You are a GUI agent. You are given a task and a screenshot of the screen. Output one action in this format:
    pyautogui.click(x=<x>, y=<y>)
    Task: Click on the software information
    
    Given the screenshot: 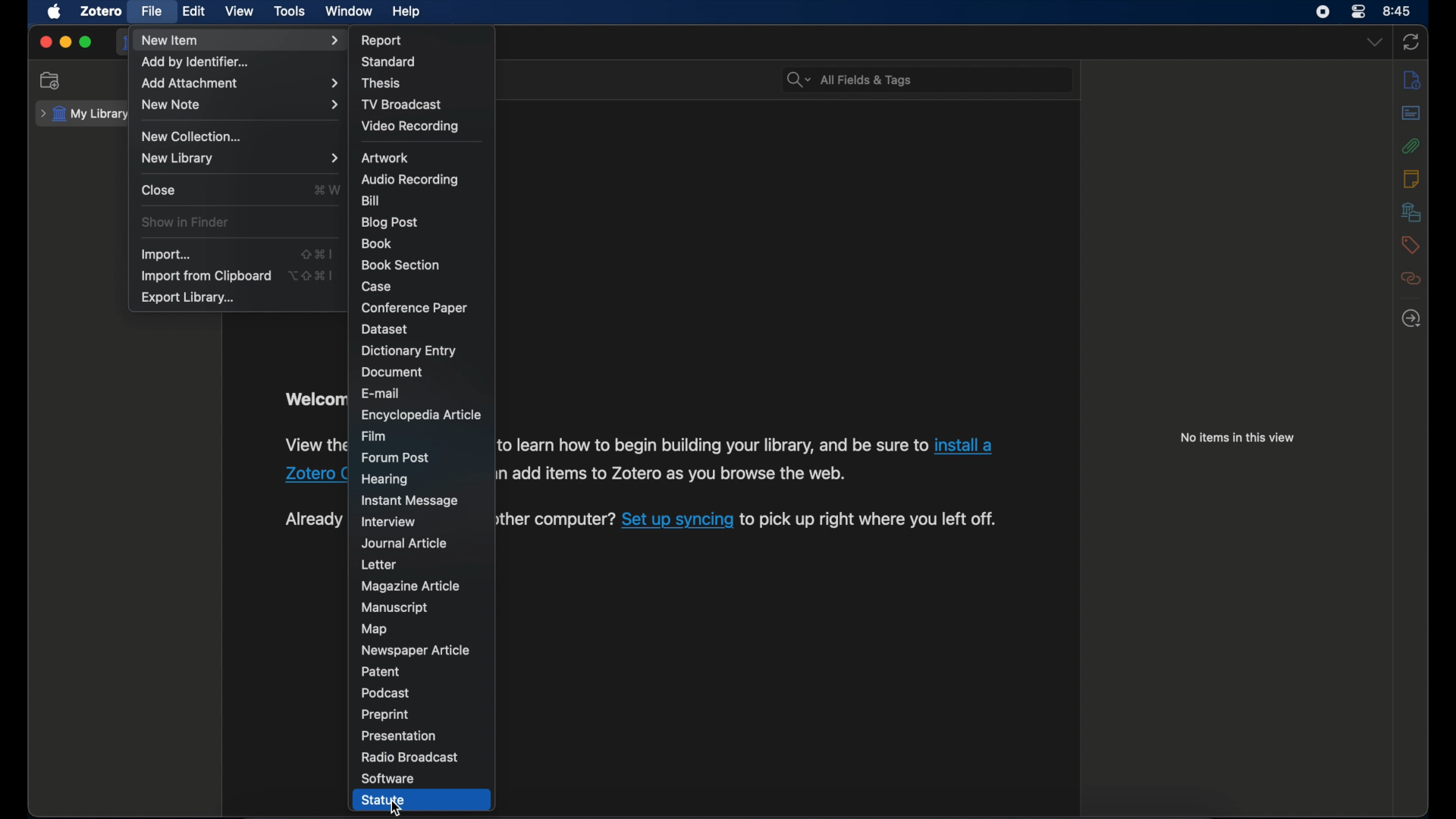 What is the action you would take?
    pyautogui.click(x=676, y=472)
    